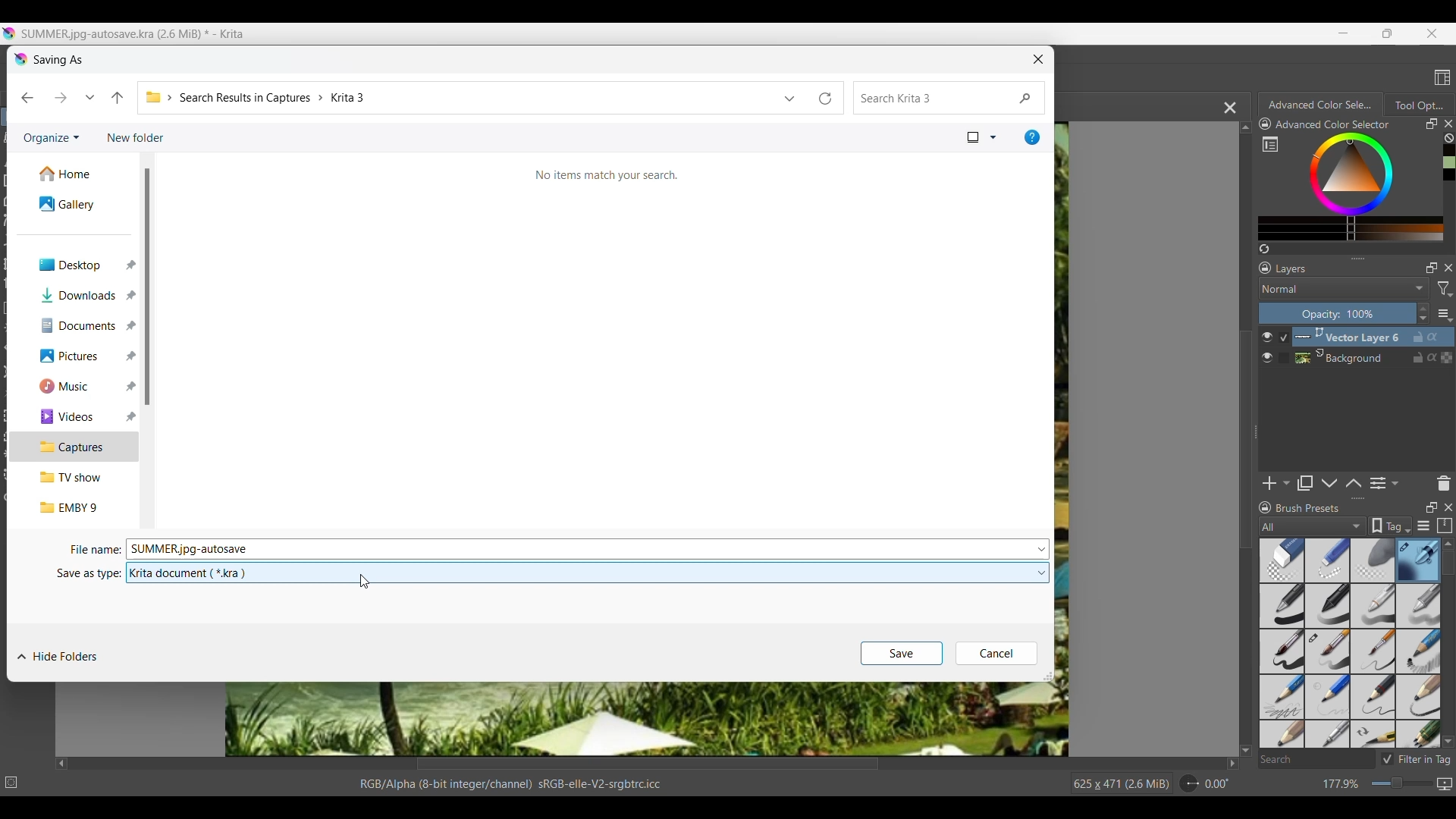 This screenshot has height=819, width=1456. I want to click on Quick slide to right, so click(1232, 764).